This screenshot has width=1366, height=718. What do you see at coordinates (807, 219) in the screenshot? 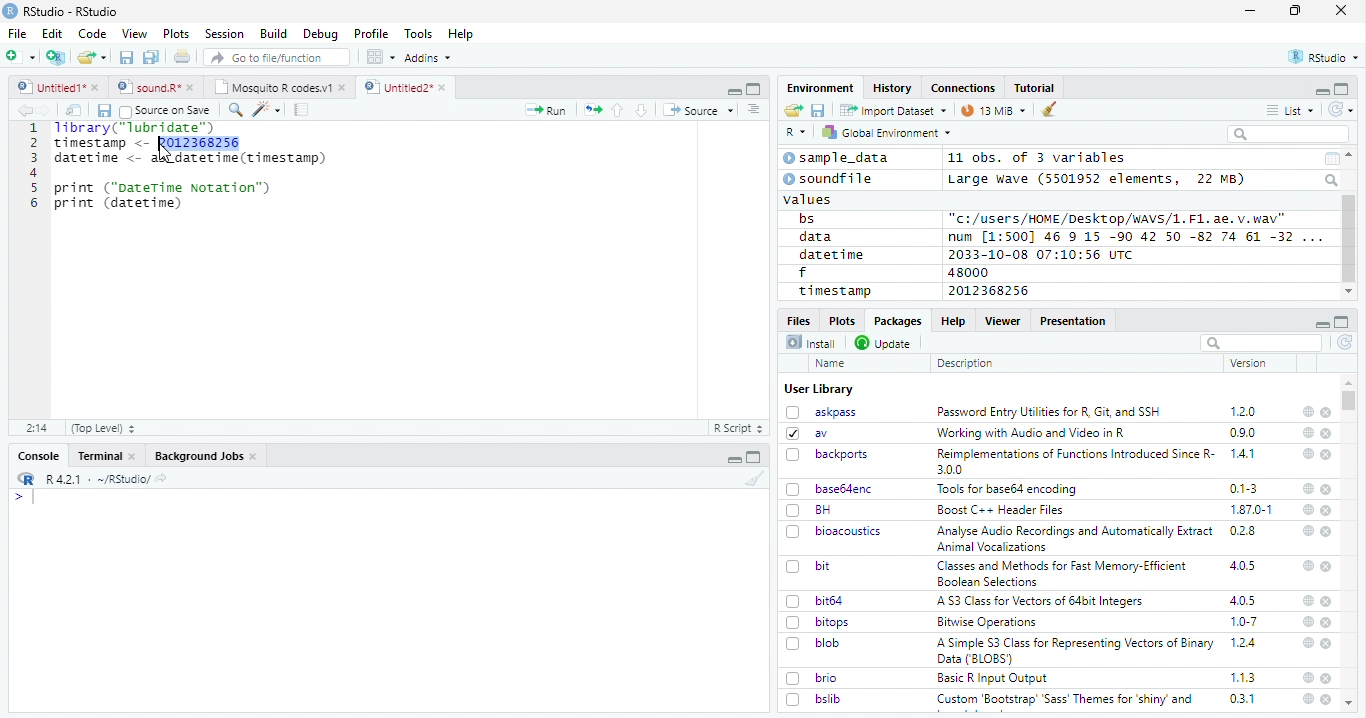
I see `bs` at bounding box center [807, 219].